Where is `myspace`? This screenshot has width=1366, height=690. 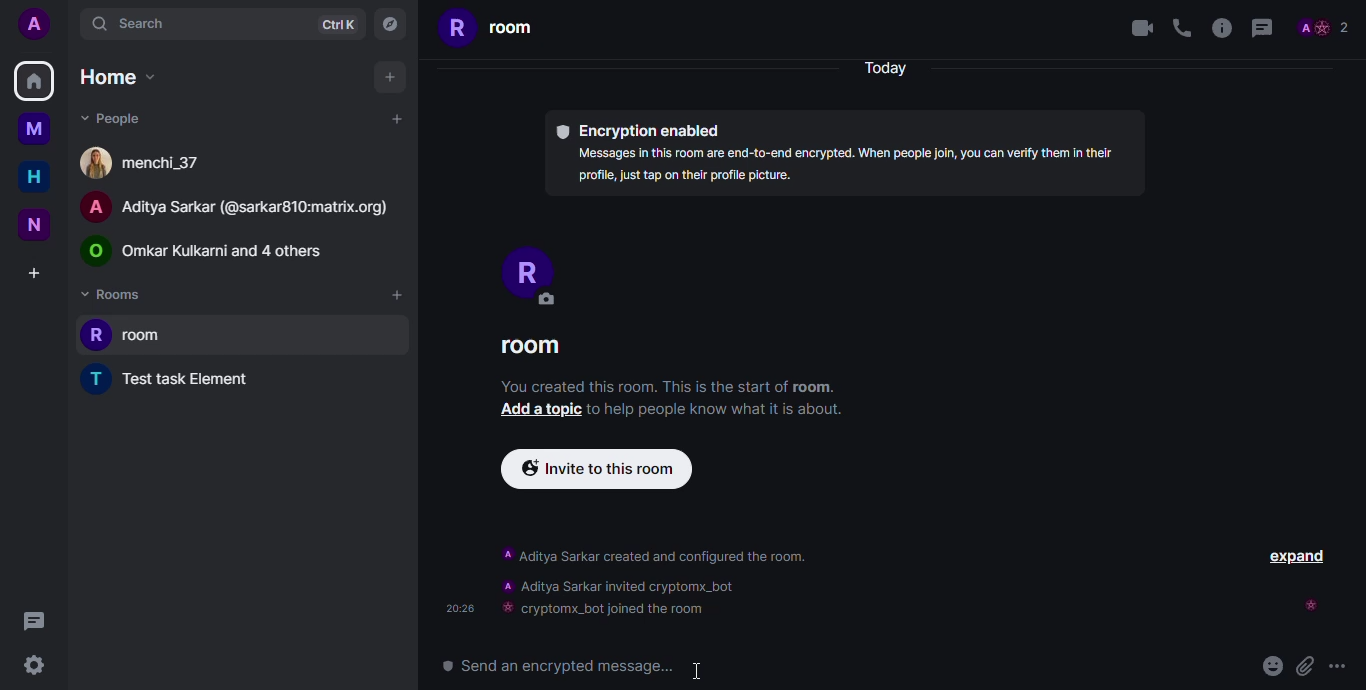 myspace is located at coordinates (37, 128).